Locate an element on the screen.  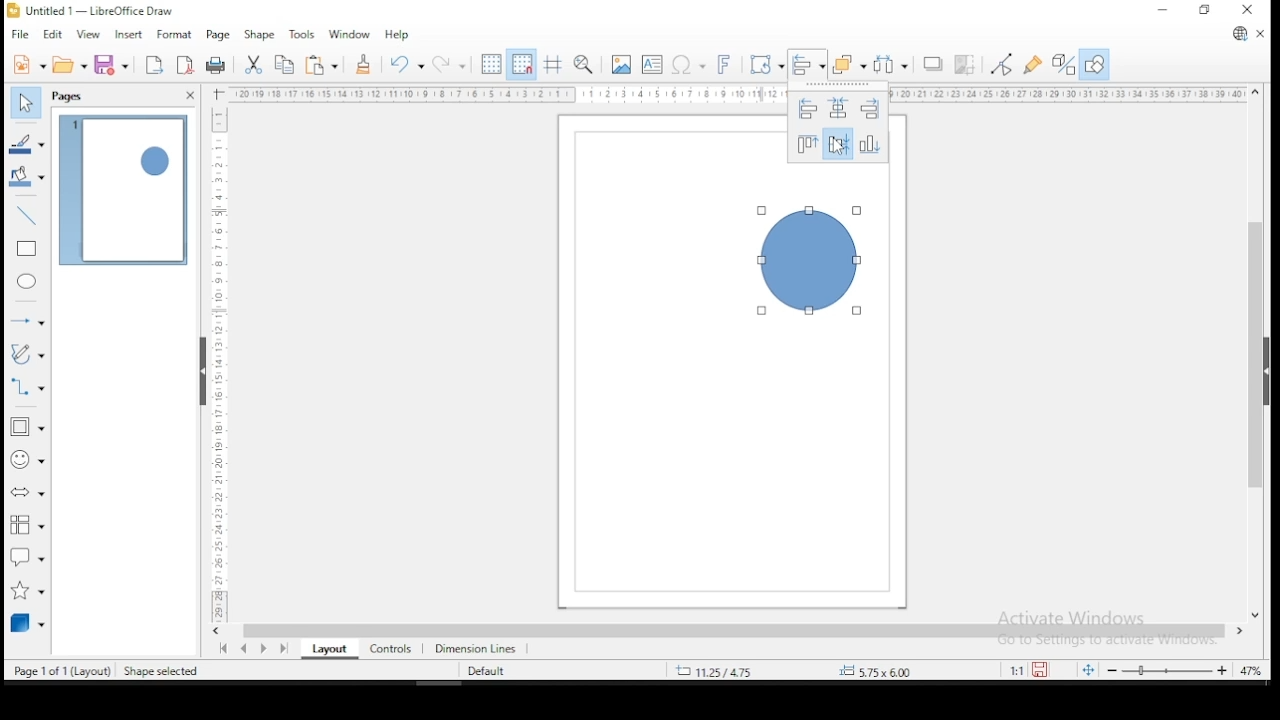
show draw functions is located at coordinates (1095, 65).